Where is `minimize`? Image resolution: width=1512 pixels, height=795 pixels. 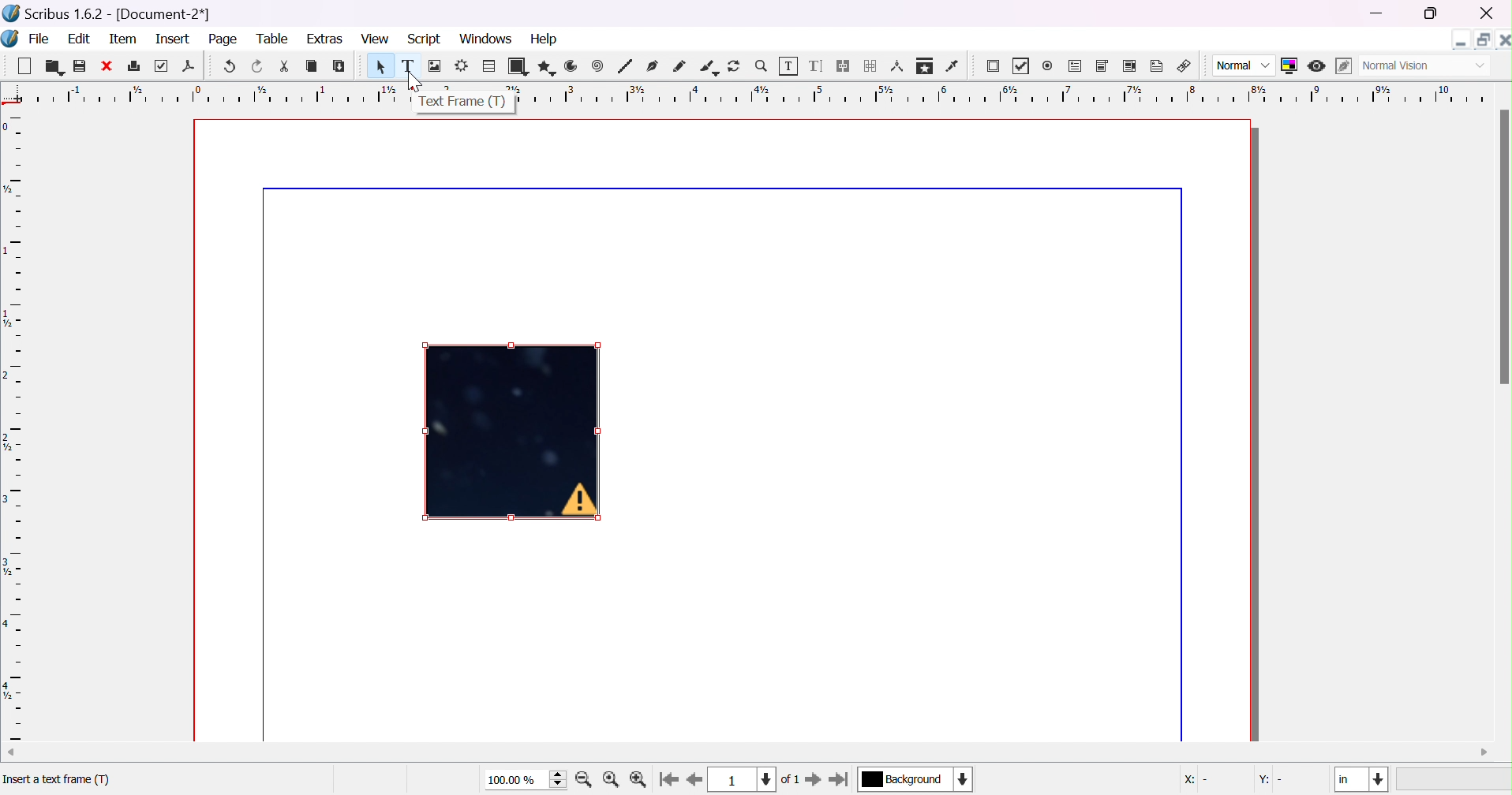
minimize is located at coordinates (1461, 39).